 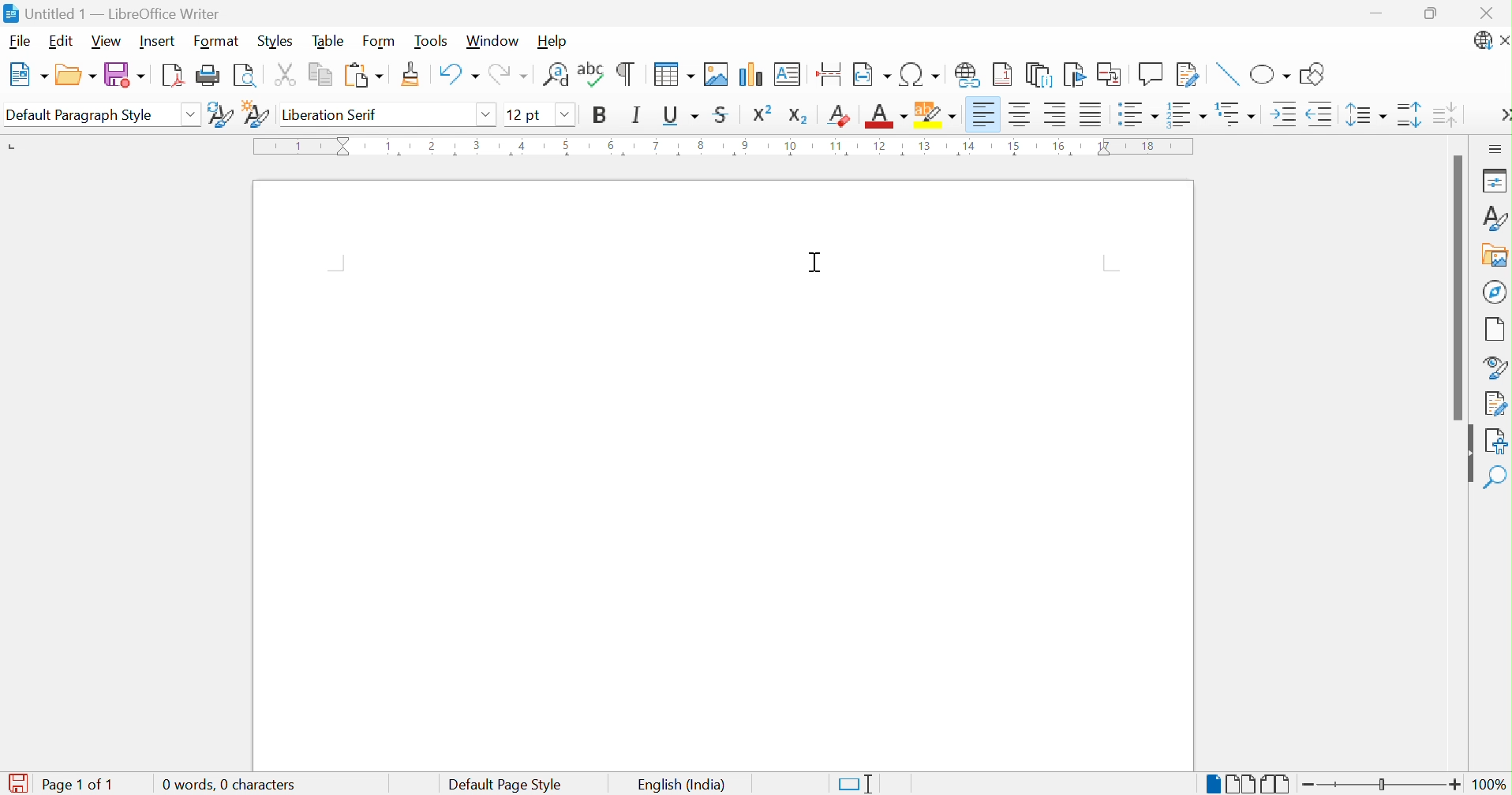 I want to click on Ruler, so click(x=720, y=147).